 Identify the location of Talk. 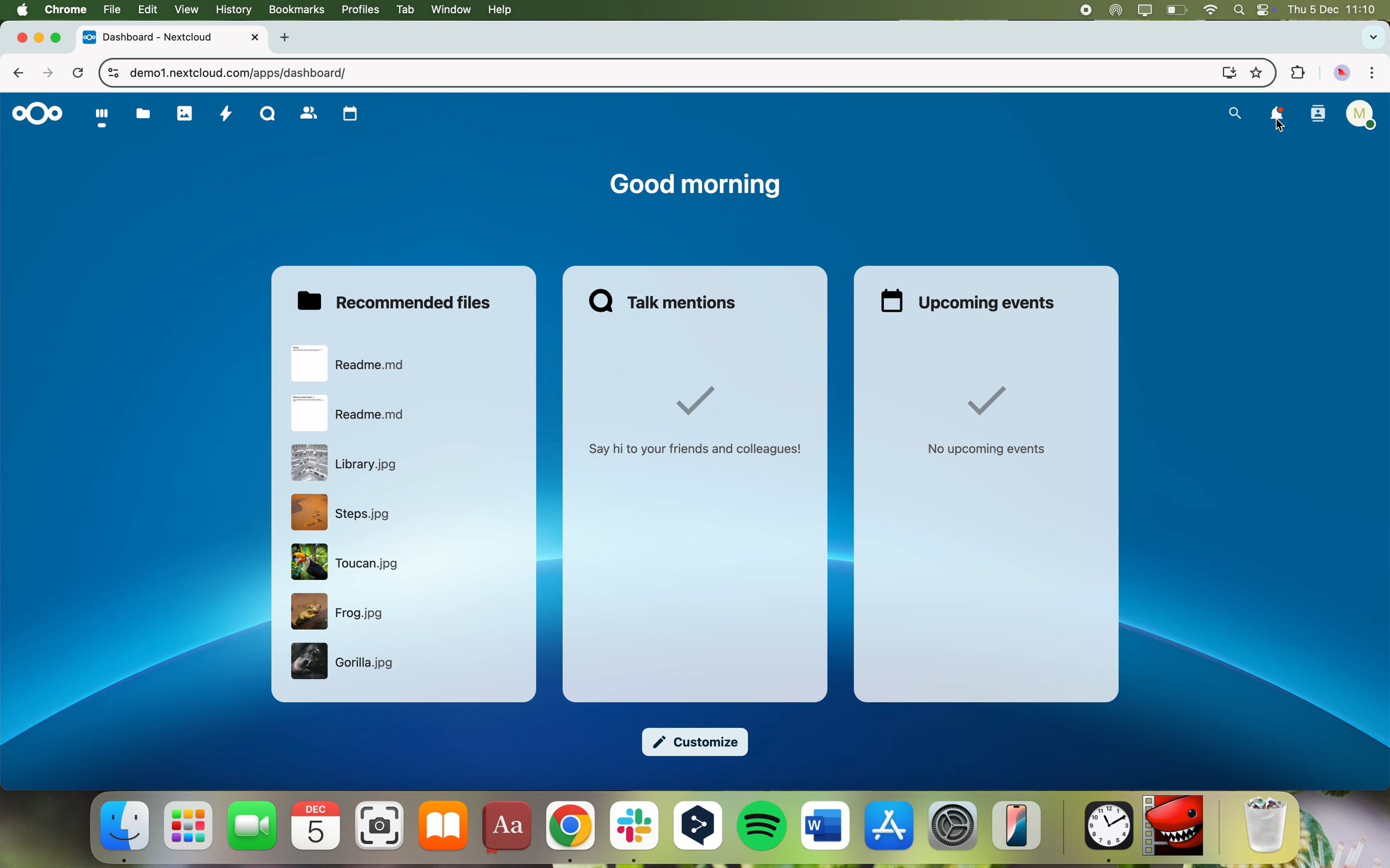
(268, 113).